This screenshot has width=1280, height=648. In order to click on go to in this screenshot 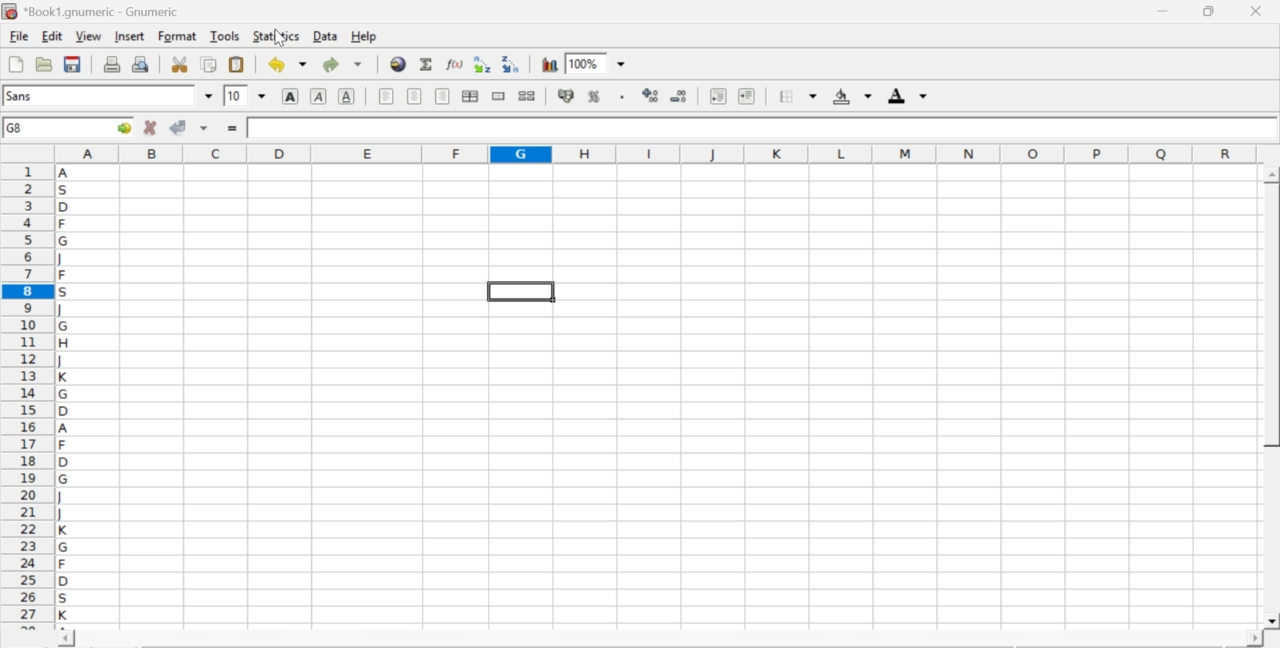, I will do `click(122, 127)`.